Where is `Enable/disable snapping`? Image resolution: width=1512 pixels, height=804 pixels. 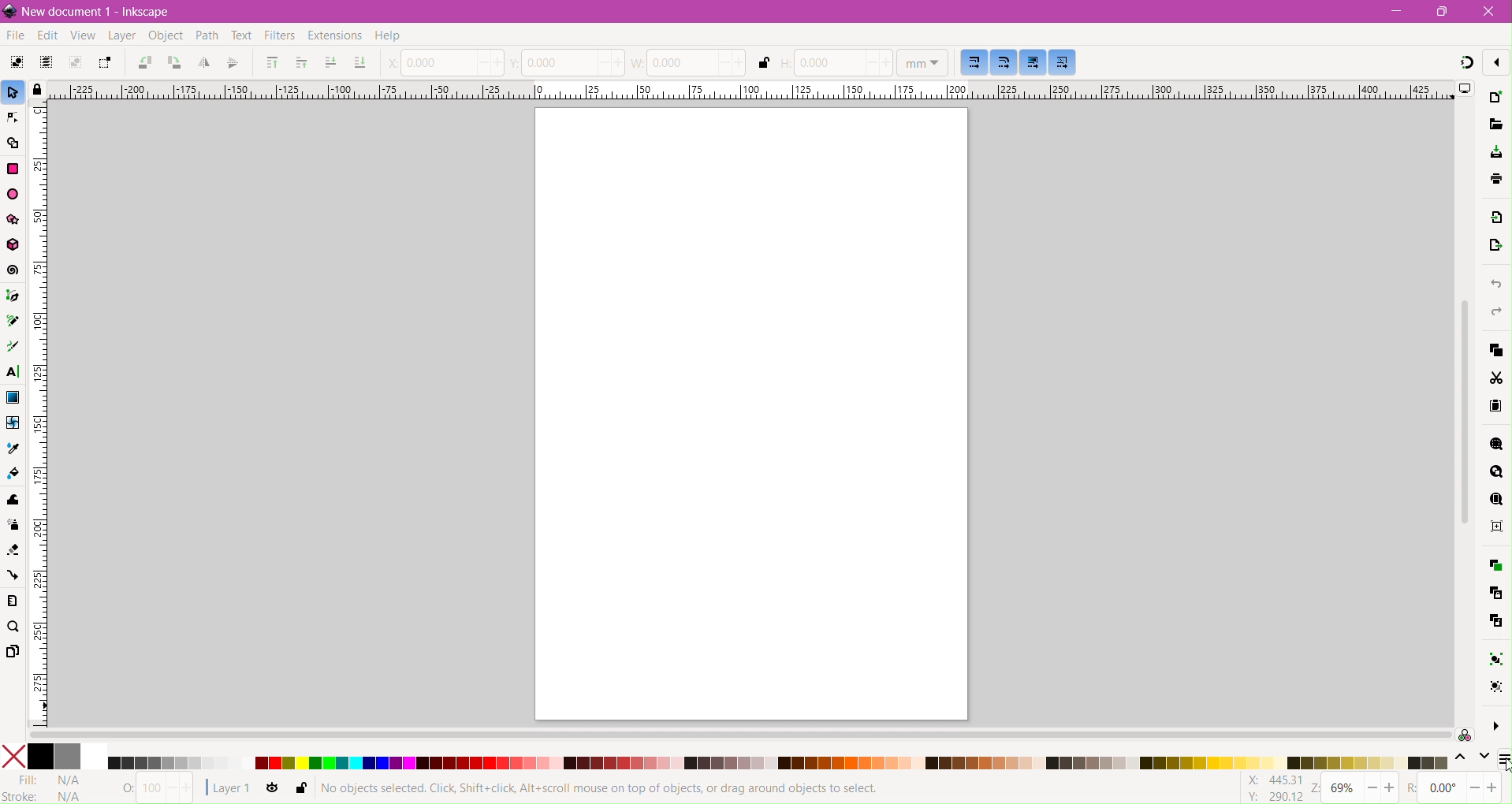 Enable/disable snapping is located at coordinates (1497, 61).